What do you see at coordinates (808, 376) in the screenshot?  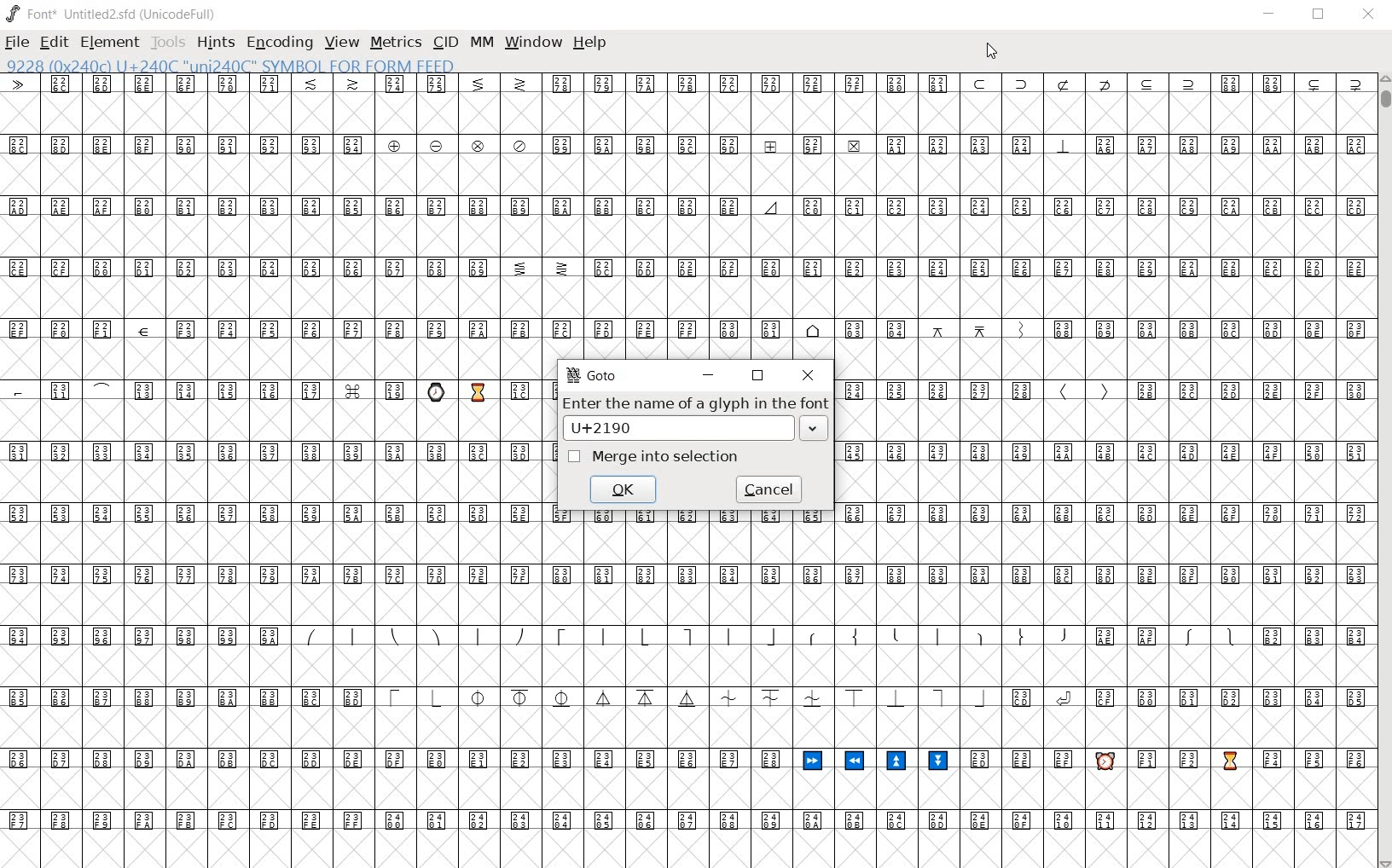 I see `close` at bounding box center [808, 376].